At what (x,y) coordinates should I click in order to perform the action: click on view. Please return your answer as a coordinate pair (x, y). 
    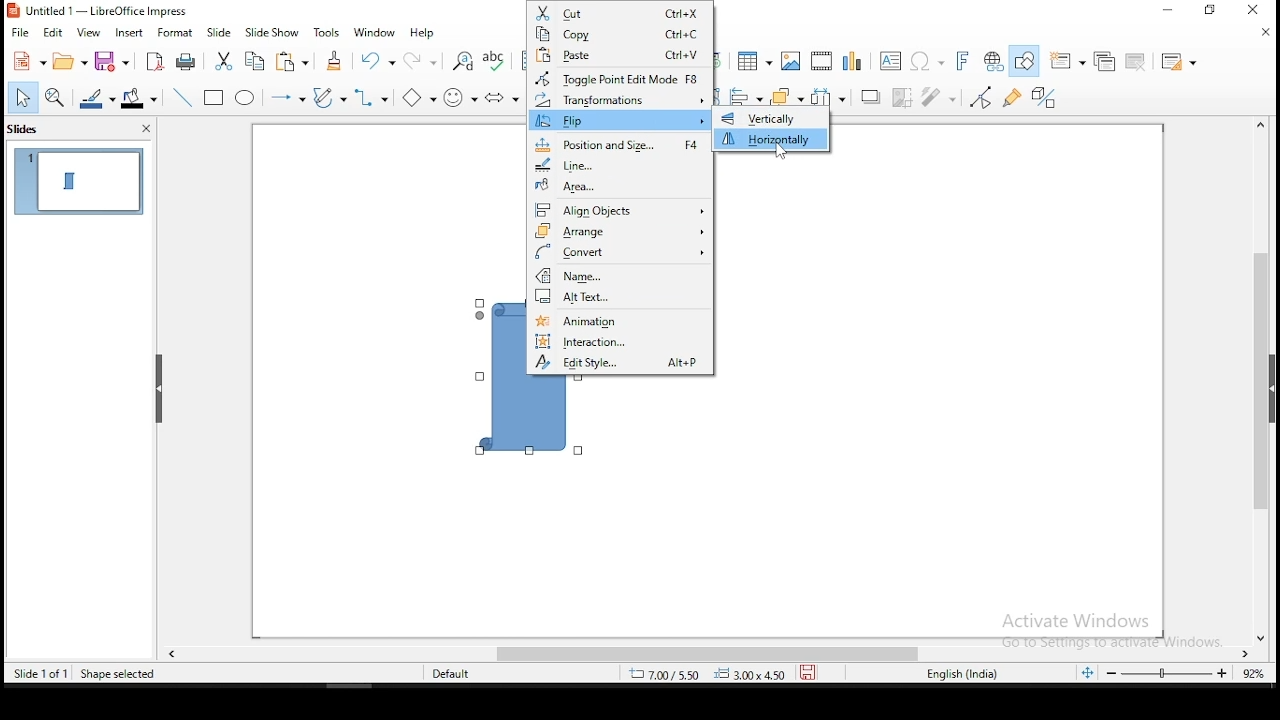
    Looking at the image, I should click on (91, 32).